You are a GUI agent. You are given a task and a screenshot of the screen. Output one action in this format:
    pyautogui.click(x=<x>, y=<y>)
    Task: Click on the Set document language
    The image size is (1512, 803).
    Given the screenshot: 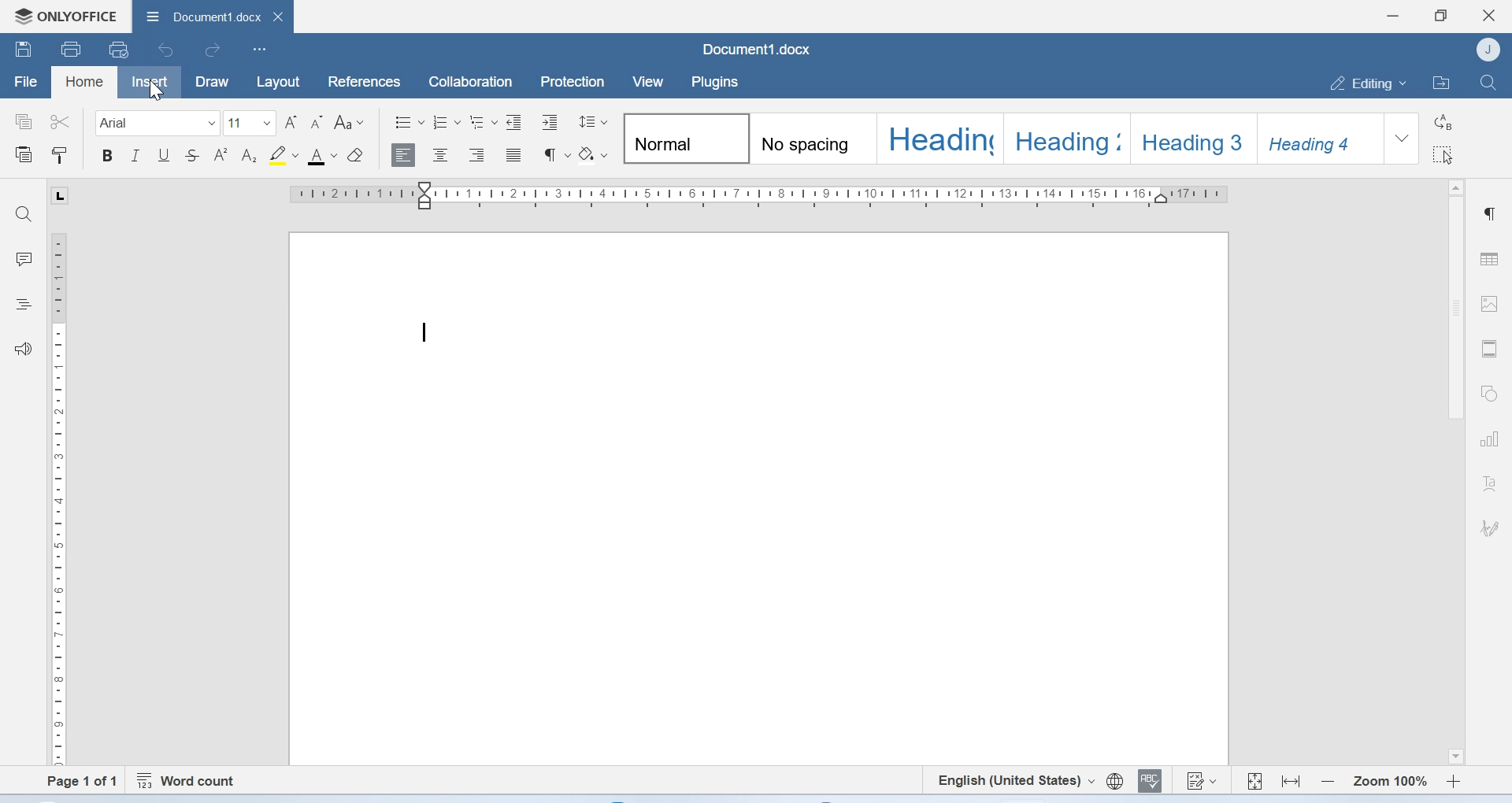 What is the action you would take?
    pyautogui.click(x=1114, y=782)
    